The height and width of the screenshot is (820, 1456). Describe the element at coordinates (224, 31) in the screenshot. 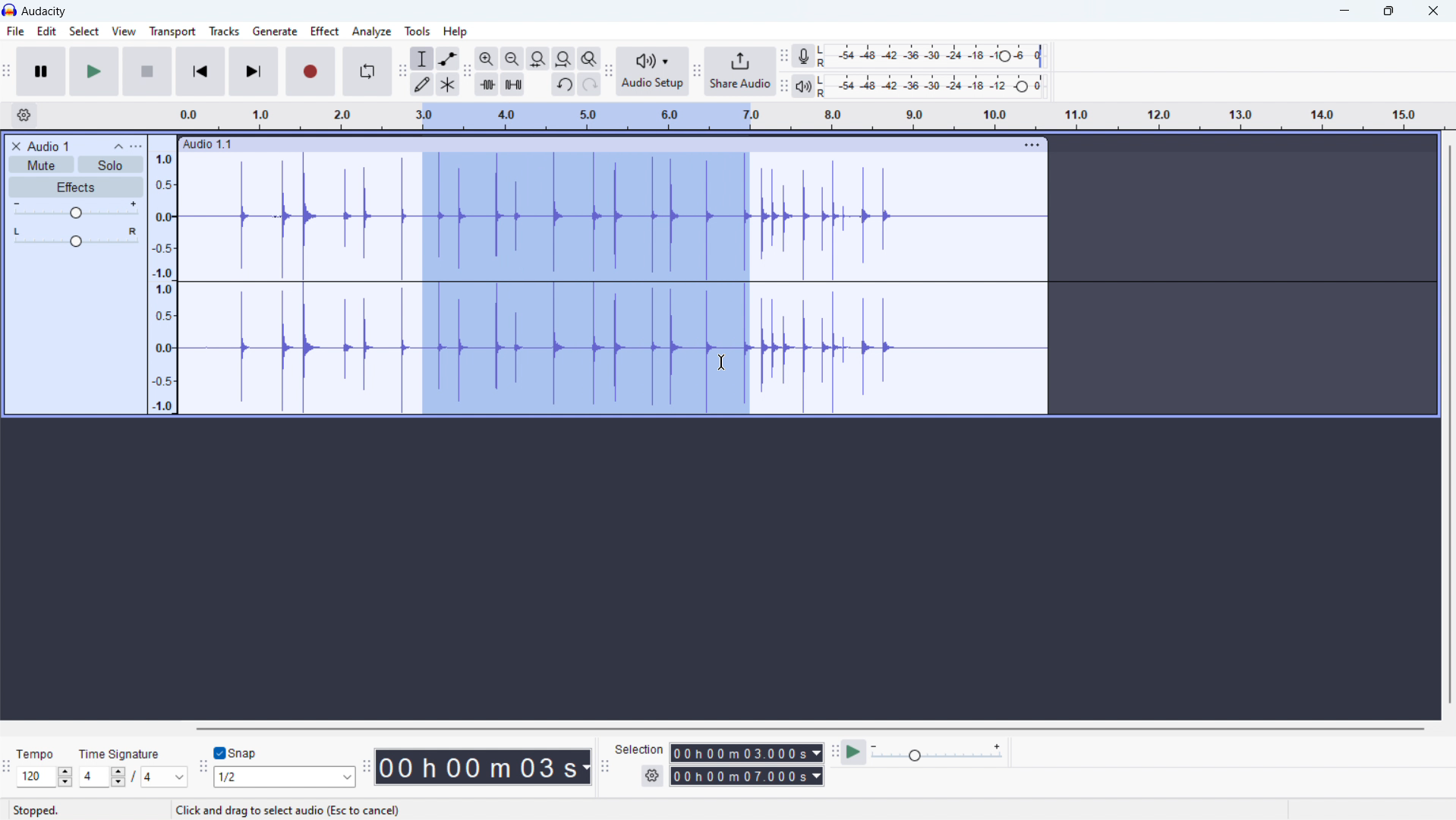

I see `tracks` at that location.